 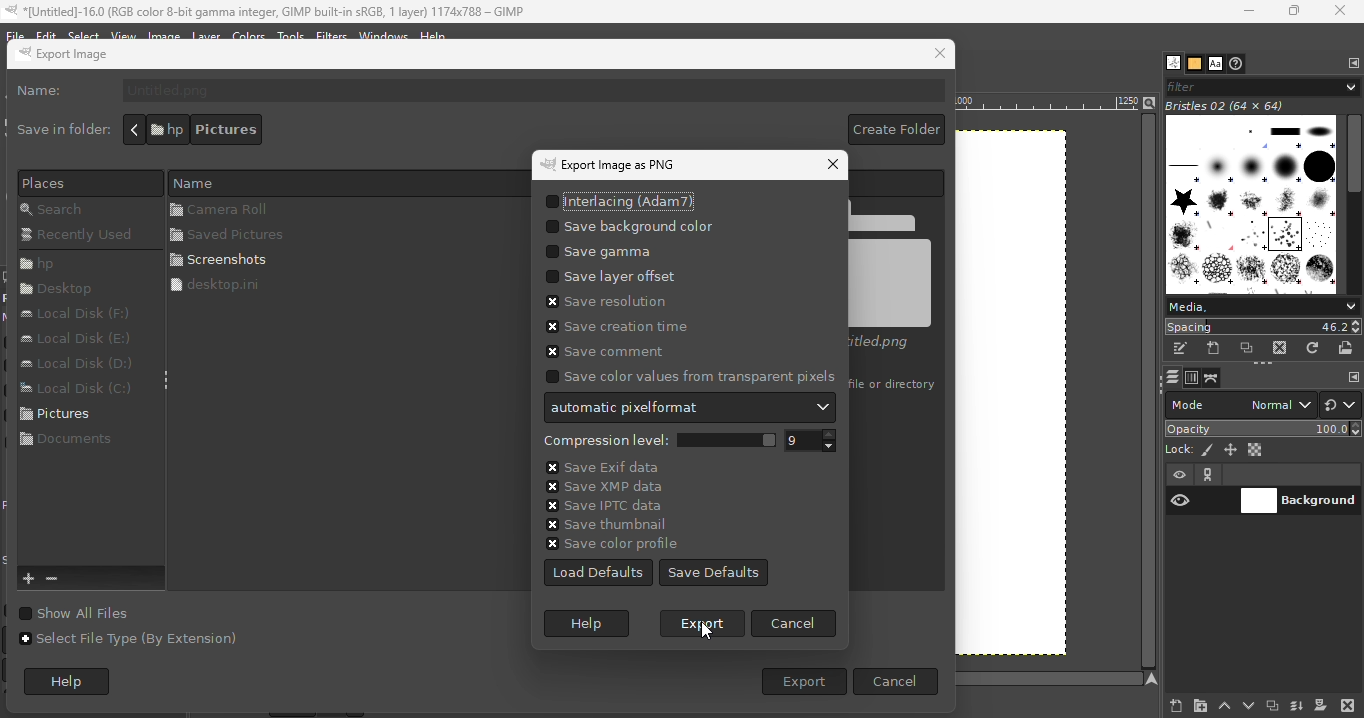 I want to click on Configure this brush, so click(x=1354, y=377).